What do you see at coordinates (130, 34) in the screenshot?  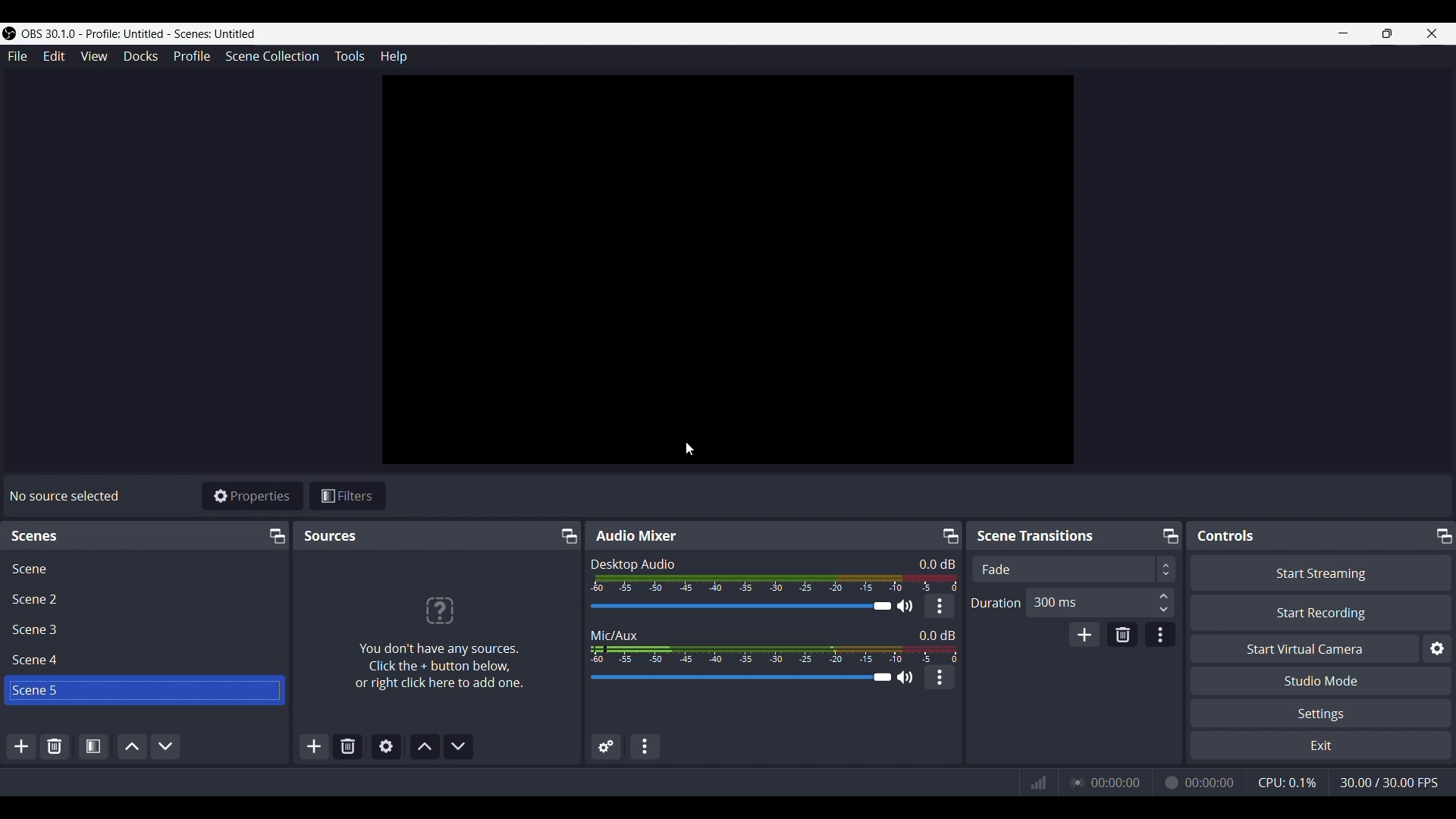 I see `Window Title` at bounding box center [130, 34].